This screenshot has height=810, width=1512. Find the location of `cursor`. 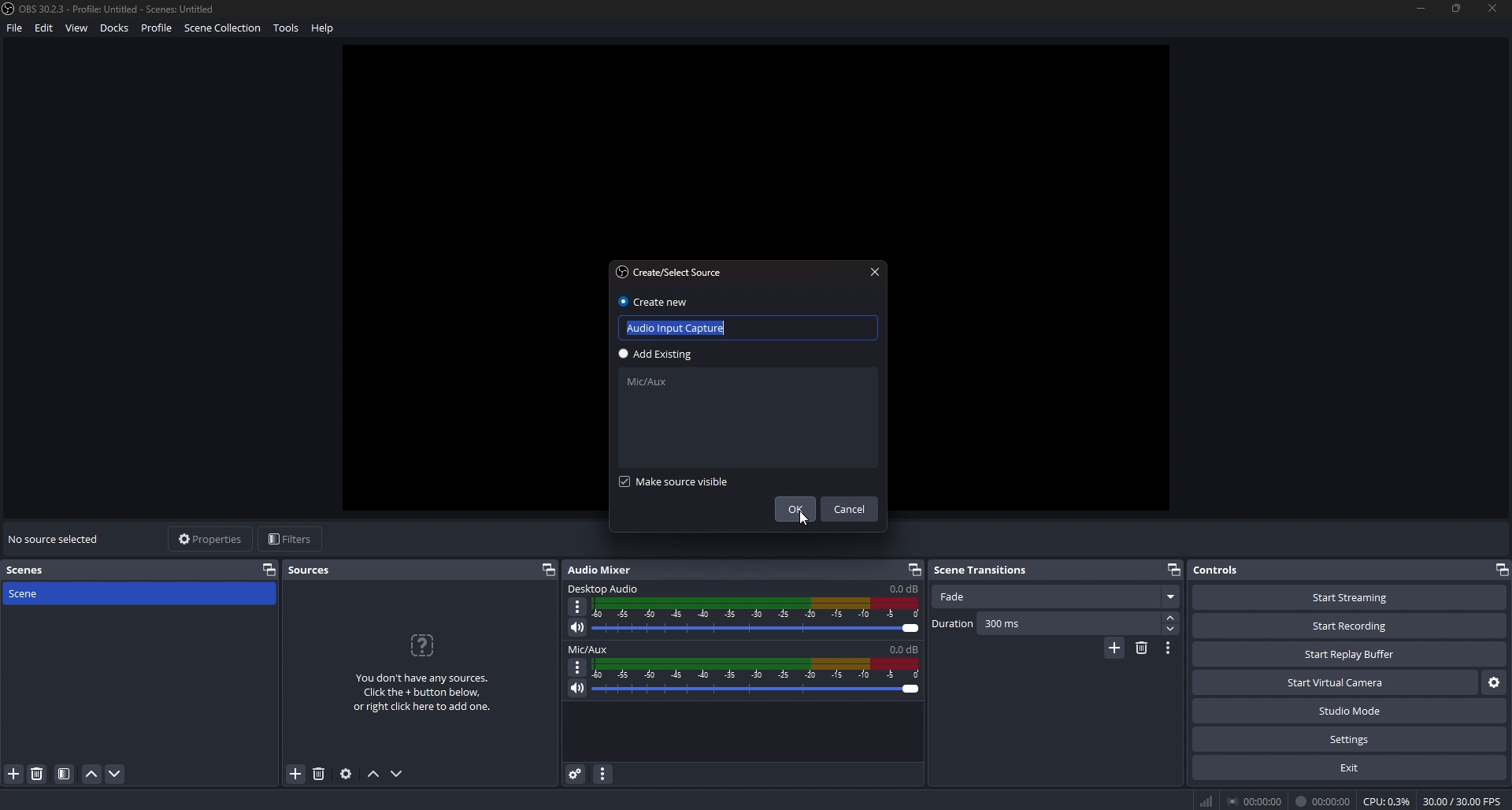

cursor is located at coordinates (805, 517).